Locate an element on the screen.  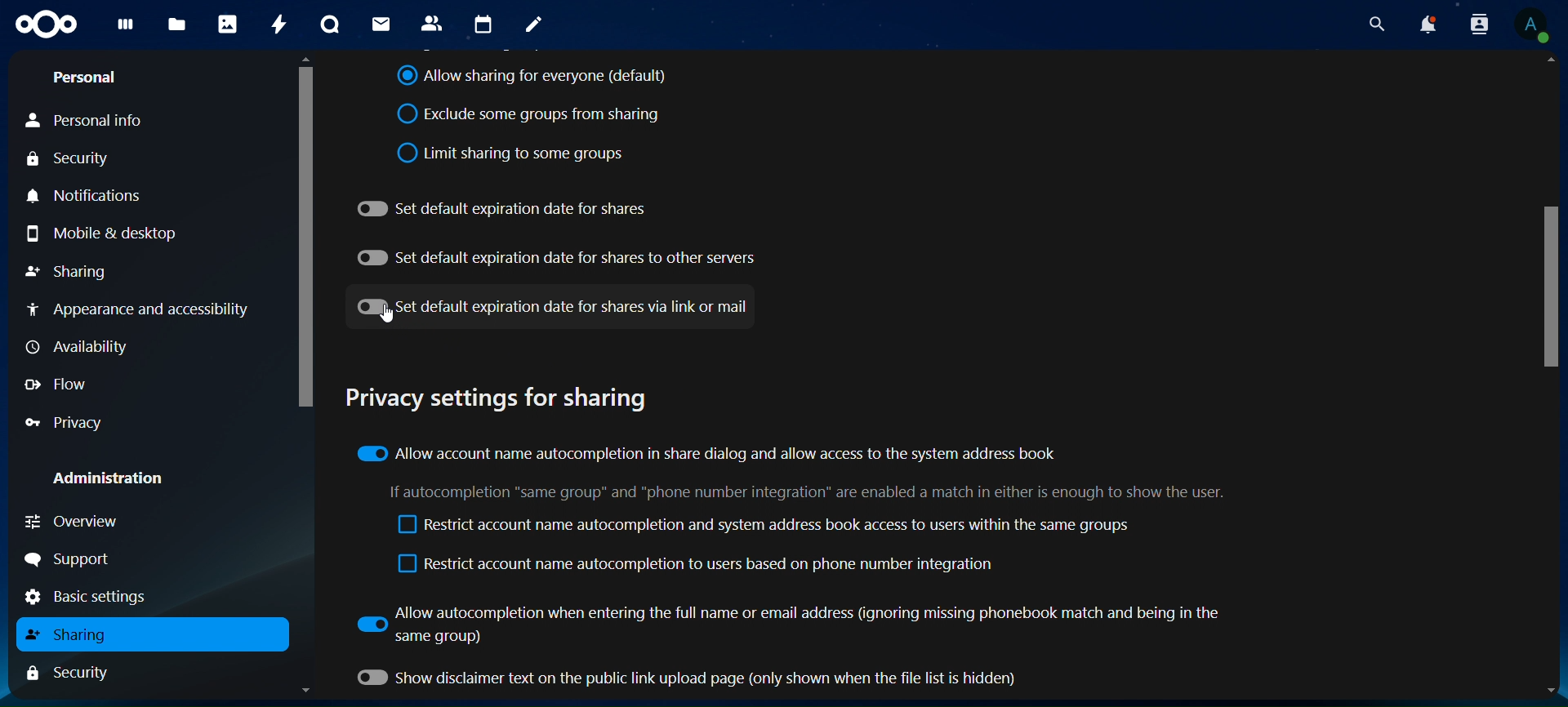
photos is located at coordinates (225, 23).